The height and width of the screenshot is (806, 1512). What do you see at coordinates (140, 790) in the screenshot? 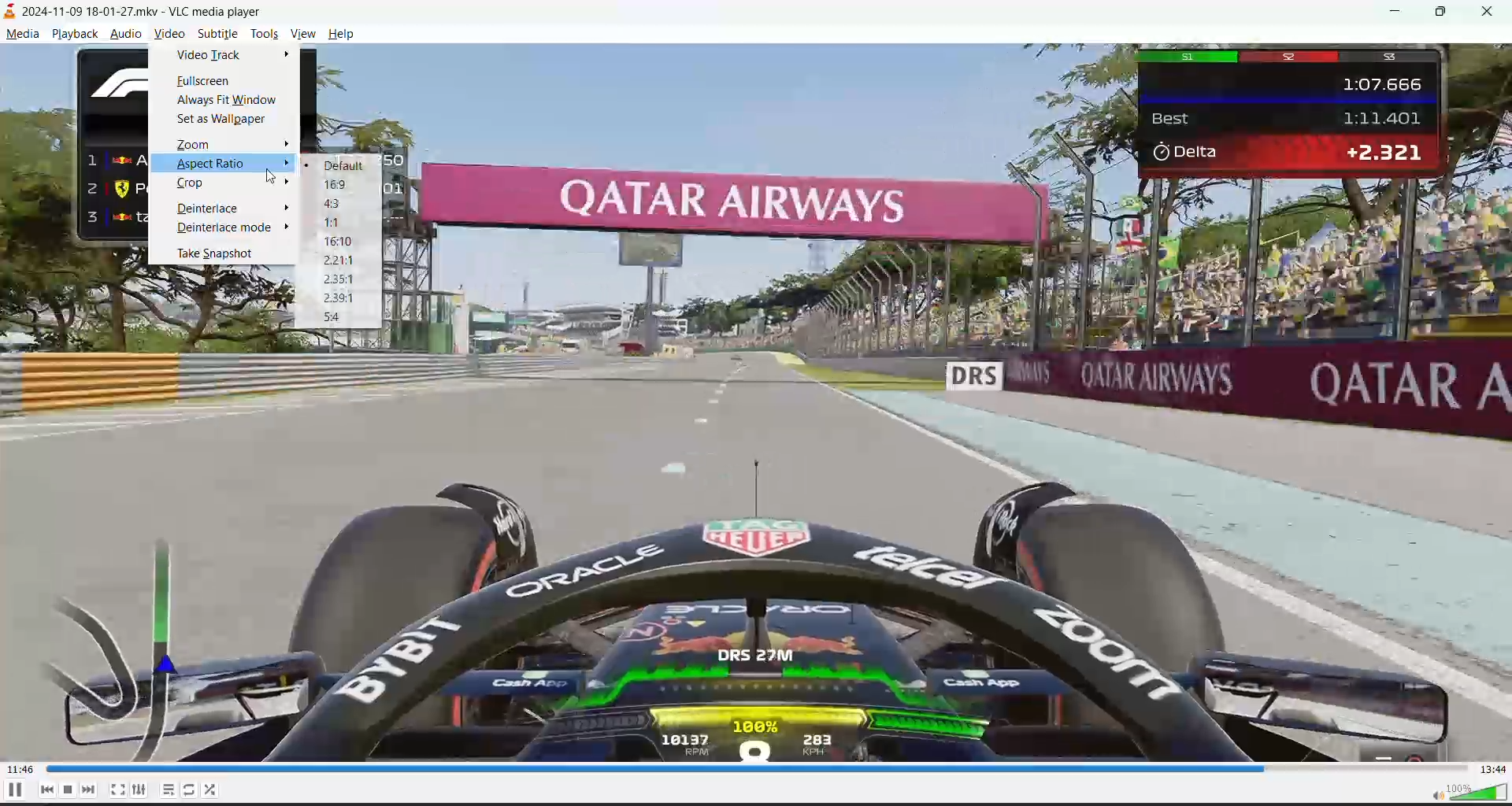
I see `settings` at bounding box center [140, 790].